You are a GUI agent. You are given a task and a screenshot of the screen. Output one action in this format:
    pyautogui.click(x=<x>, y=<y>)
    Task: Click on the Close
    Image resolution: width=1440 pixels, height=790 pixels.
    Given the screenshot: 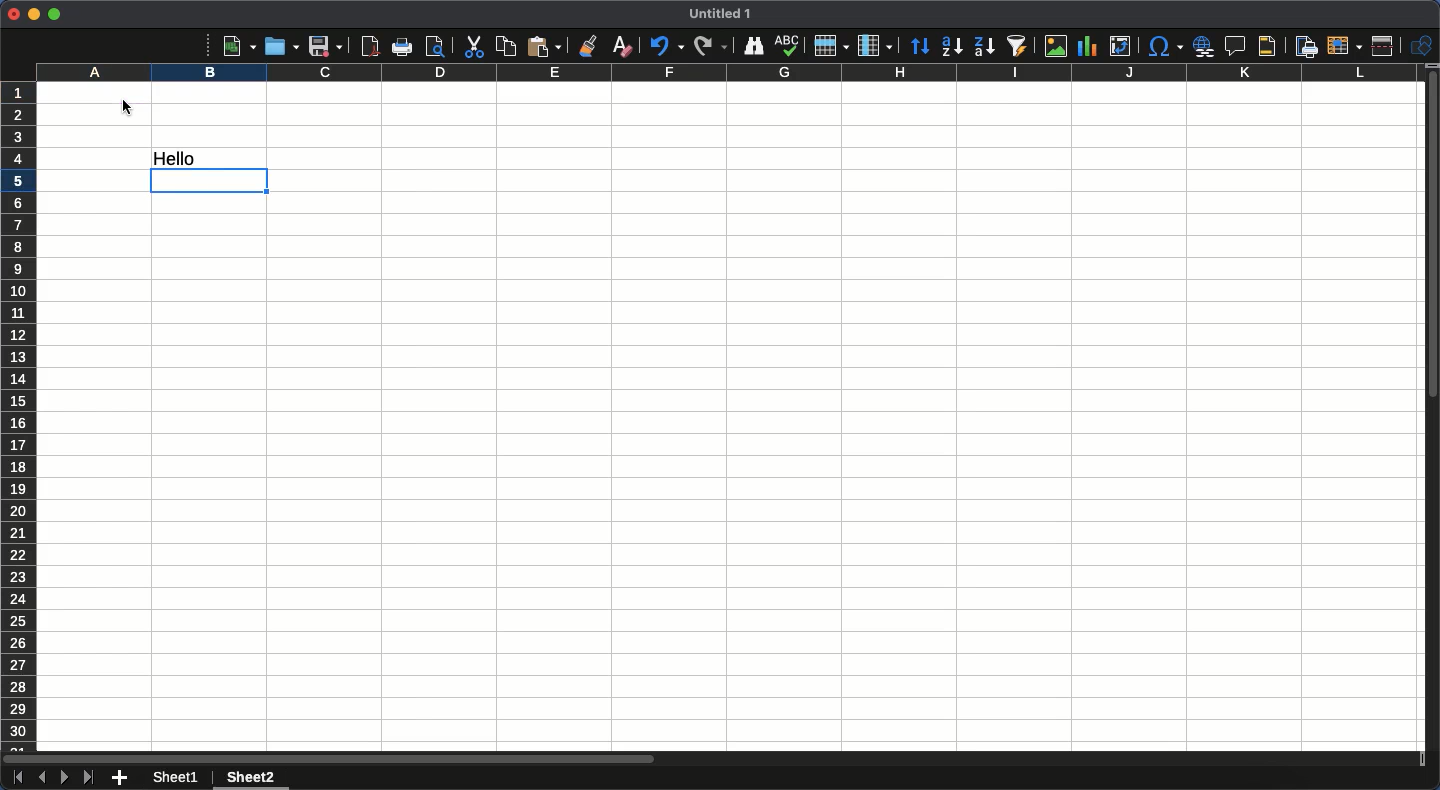 What is the action you would take?
    pyautogui.click(x=13, y=14)
    